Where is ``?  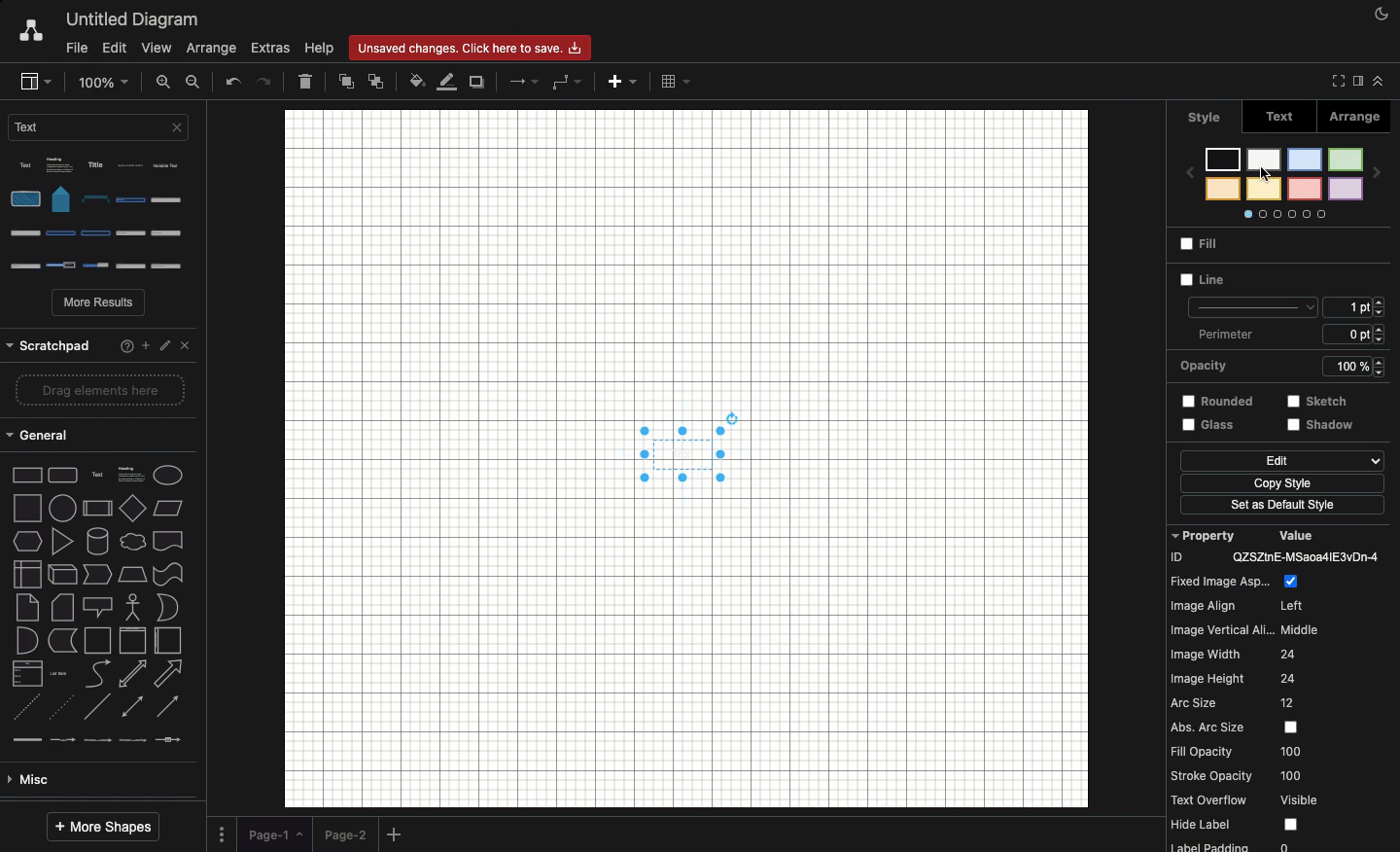
 is located at coordinates (97, 340).